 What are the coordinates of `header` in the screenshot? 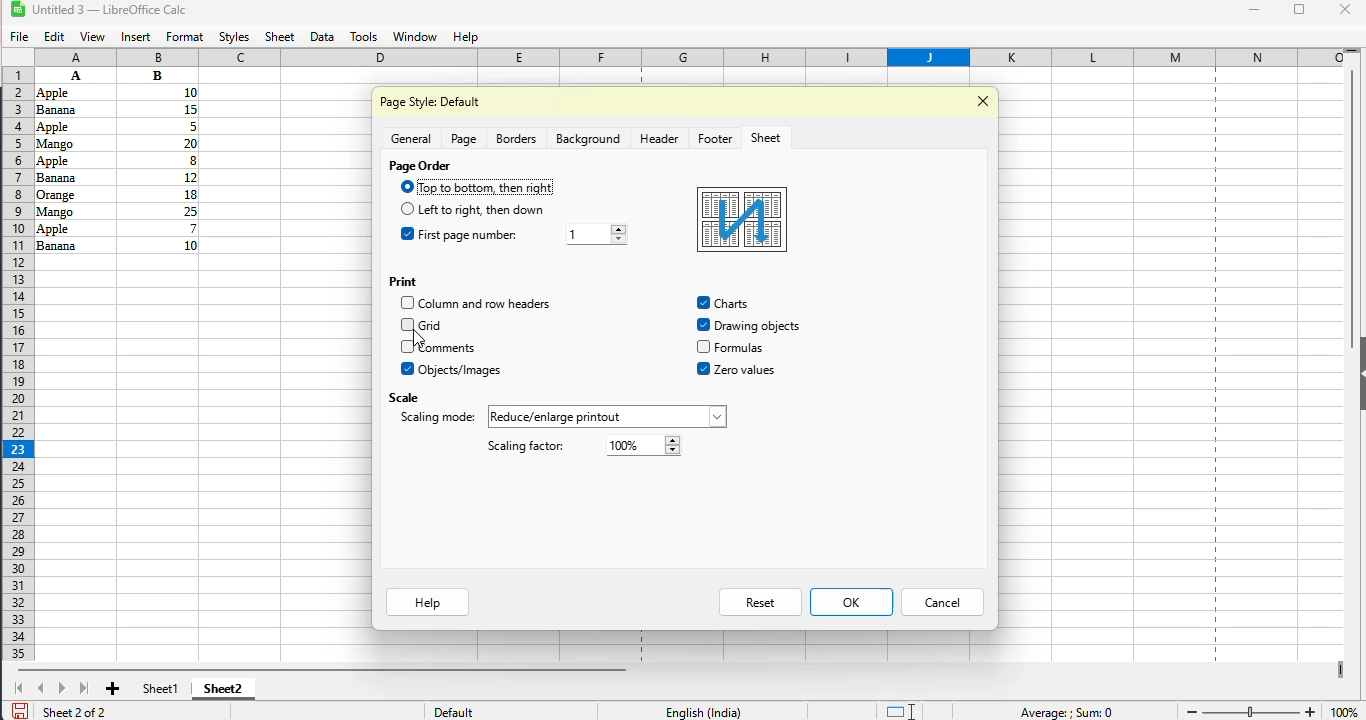 It's located at (659, 138).